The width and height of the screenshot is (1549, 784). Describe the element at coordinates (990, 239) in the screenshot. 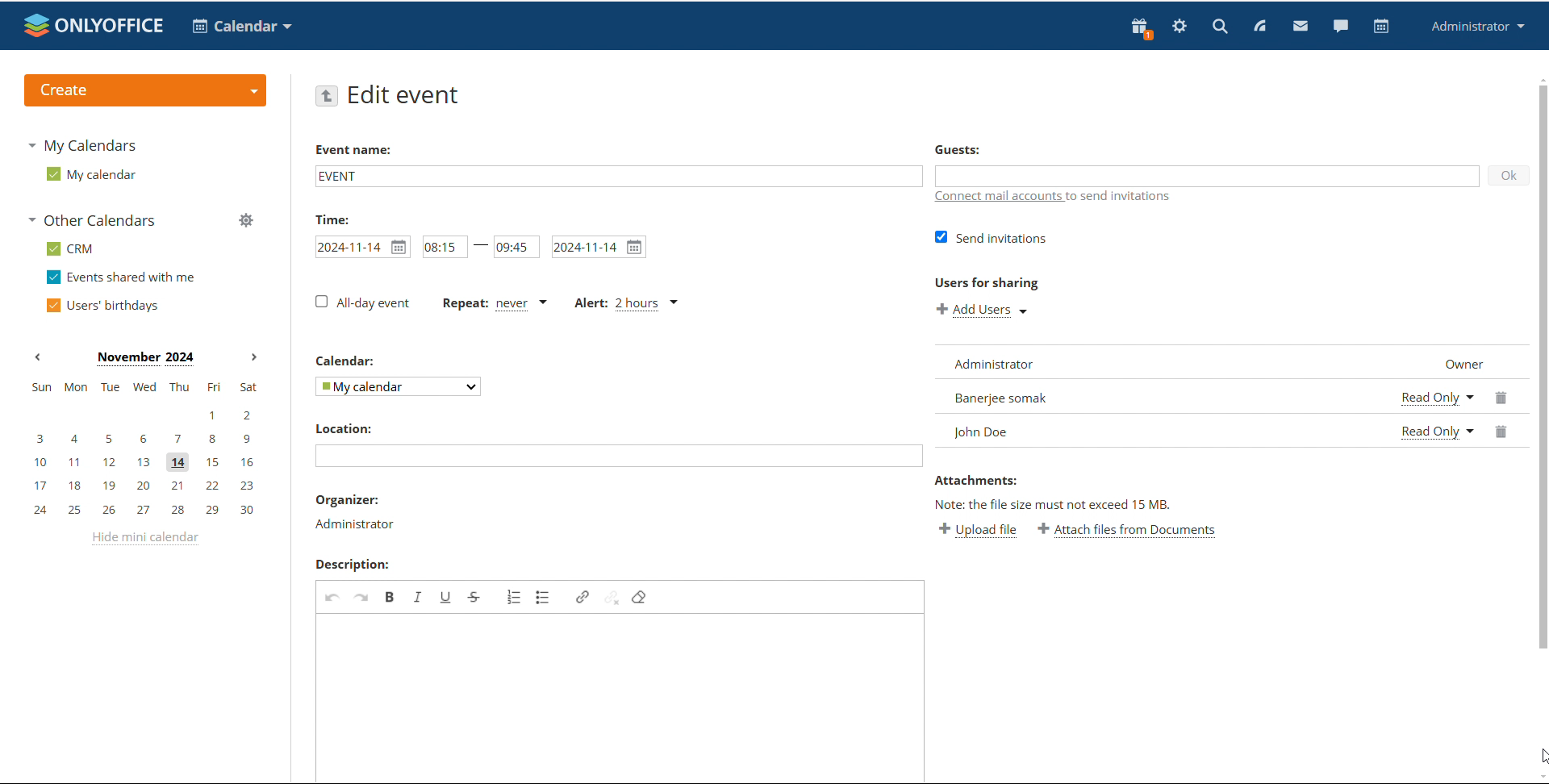

I see `send invitations` at that location.